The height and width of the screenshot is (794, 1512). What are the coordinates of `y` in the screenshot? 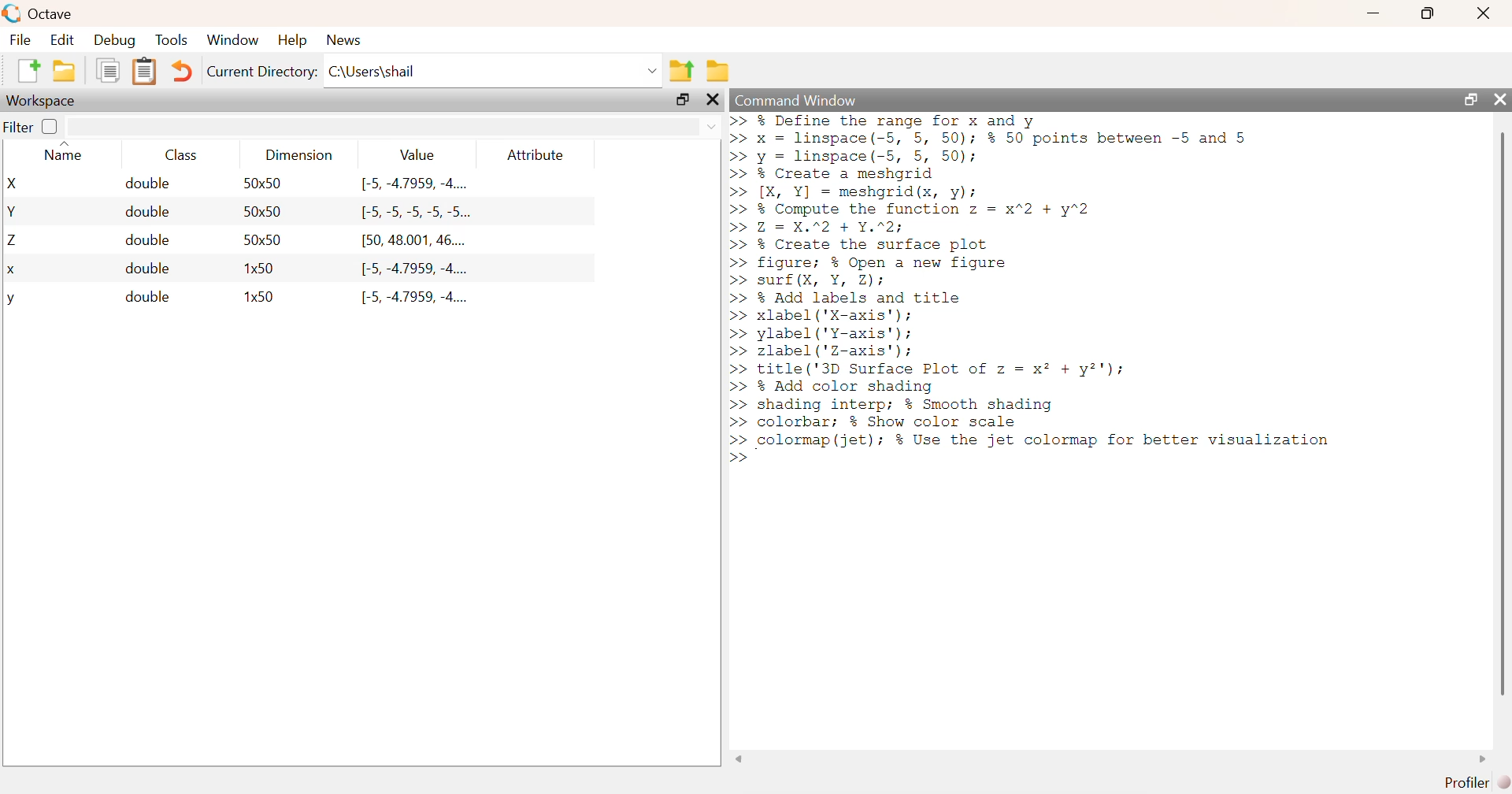 It's located at (11, 300).